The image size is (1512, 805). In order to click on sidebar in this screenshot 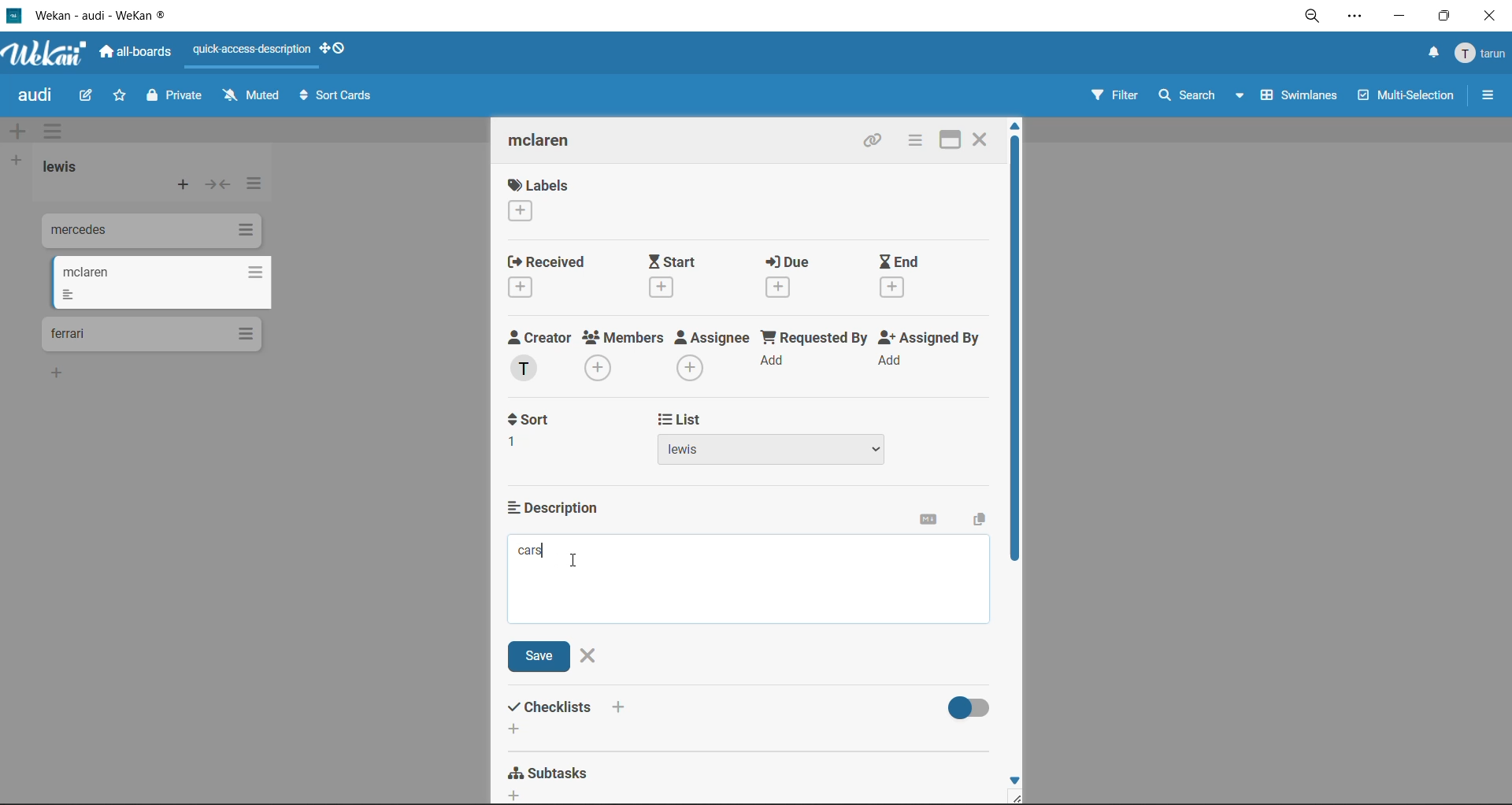, I will do `click(1488, 95)`.